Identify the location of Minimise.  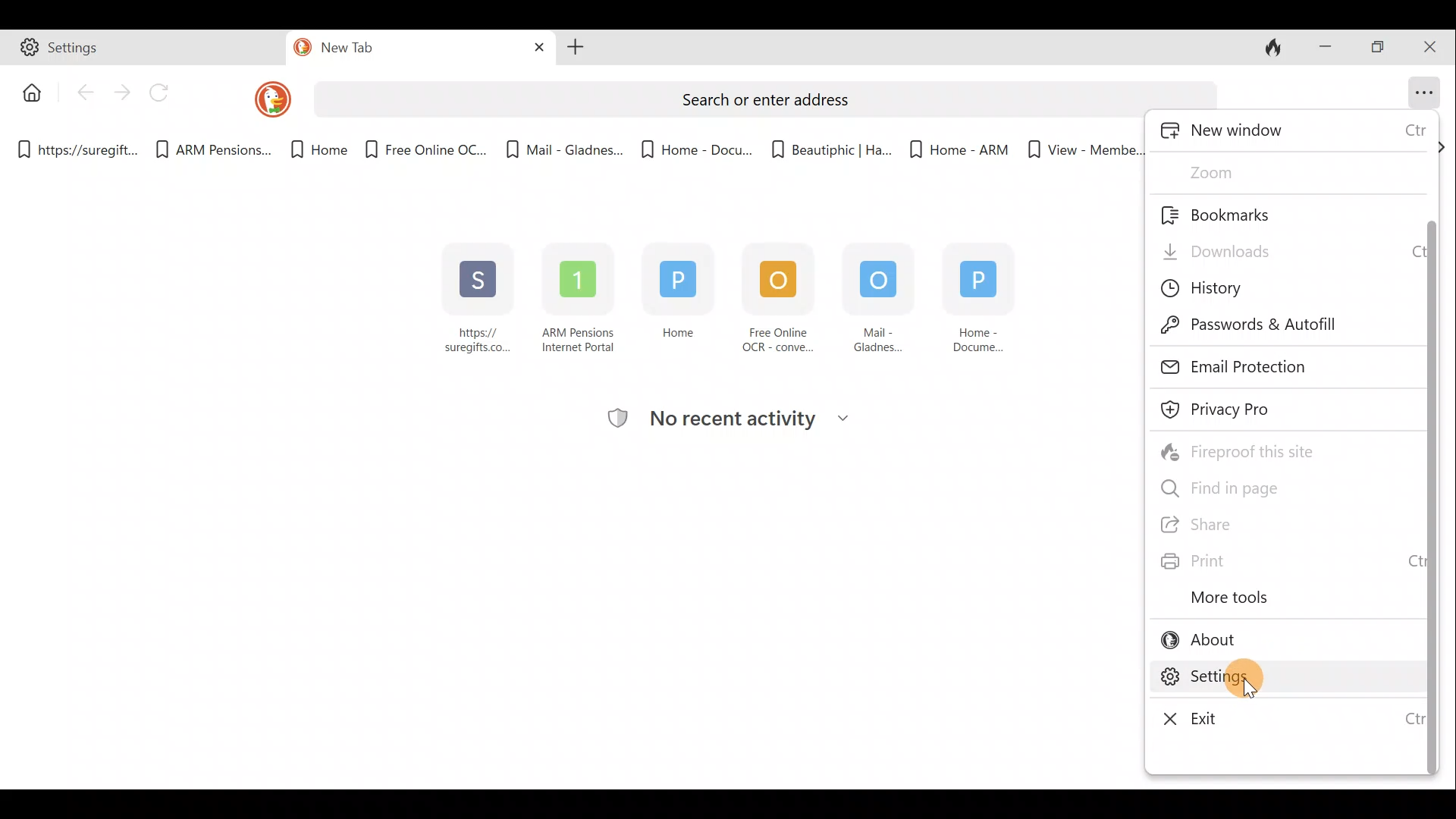
(1325, 49).